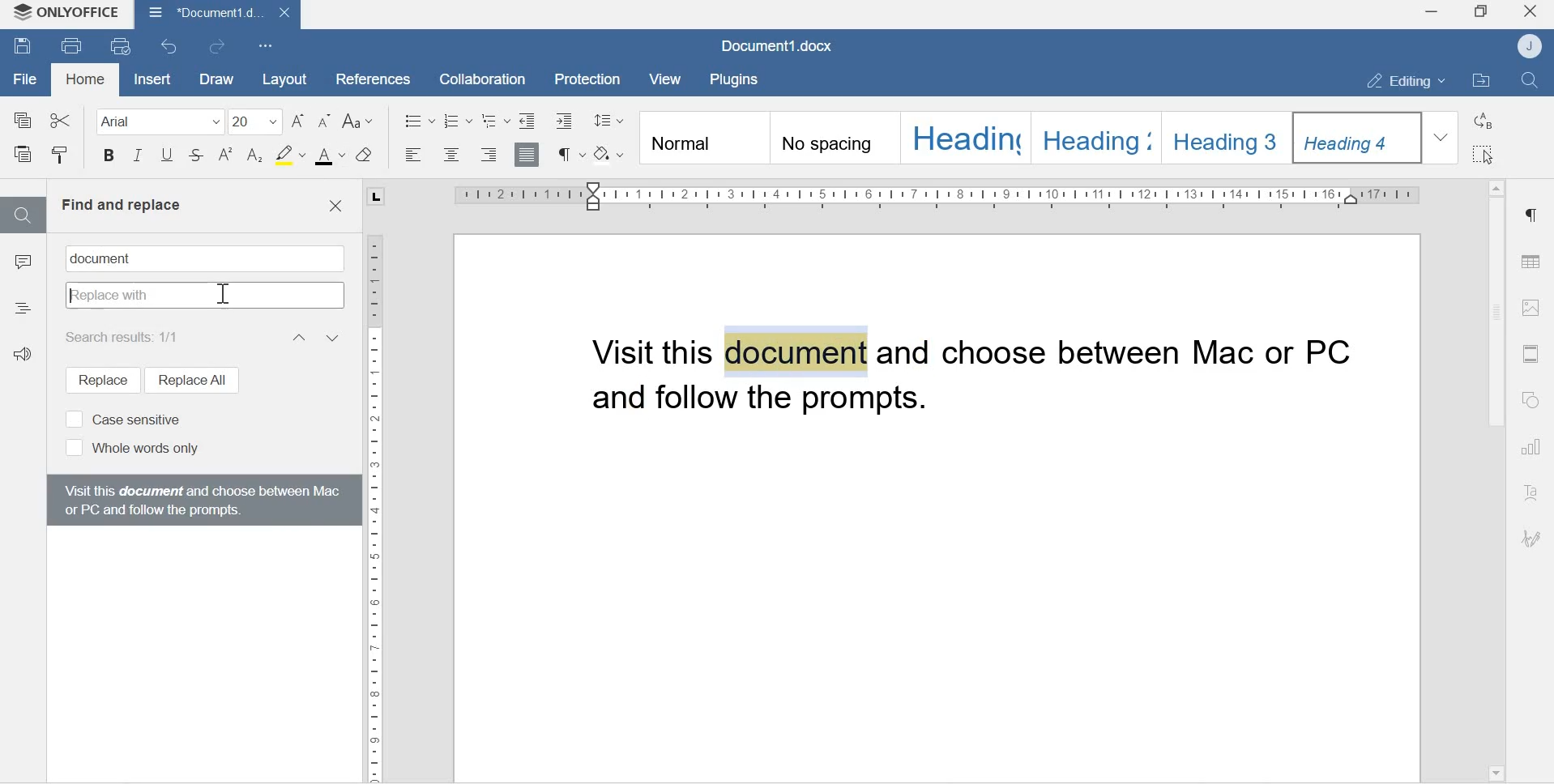 Image resolution: width=1554 pixels, height=784 pixels. I want to click on Replace all, so click(190, 379).